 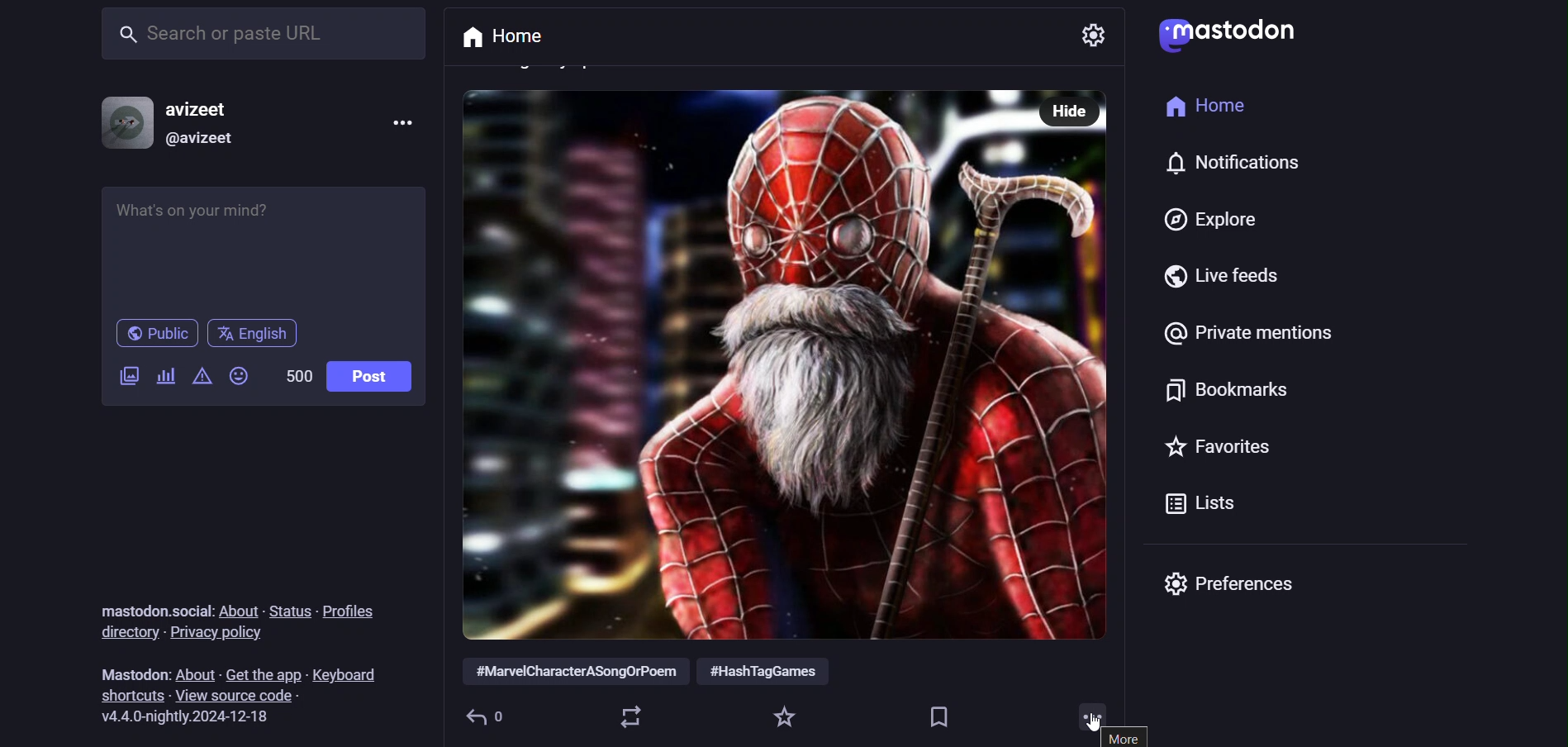 I want to click on explore, so click(x=1207, y=217).